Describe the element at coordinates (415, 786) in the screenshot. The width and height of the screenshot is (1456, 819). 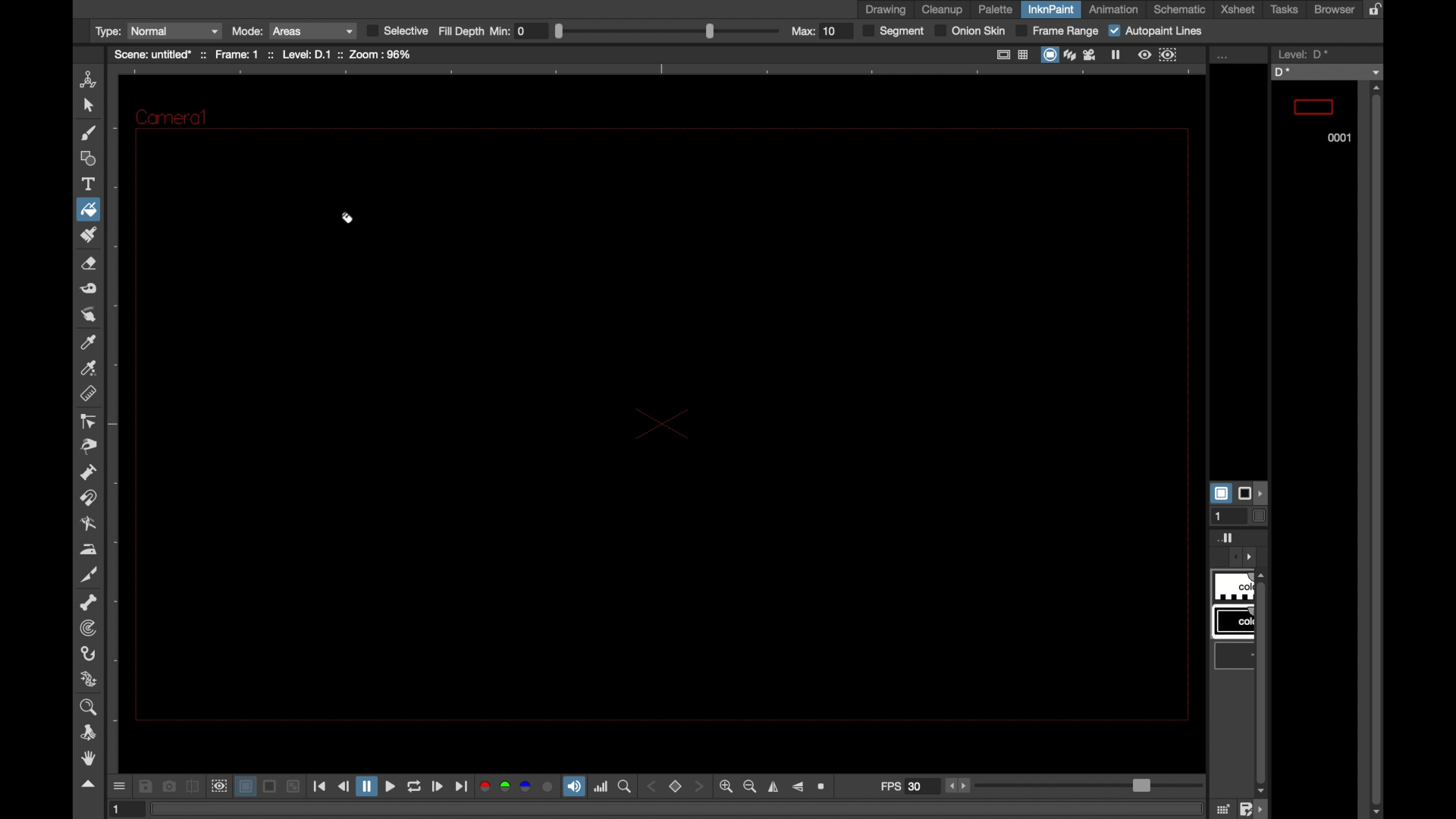
I see `loop` at that location.